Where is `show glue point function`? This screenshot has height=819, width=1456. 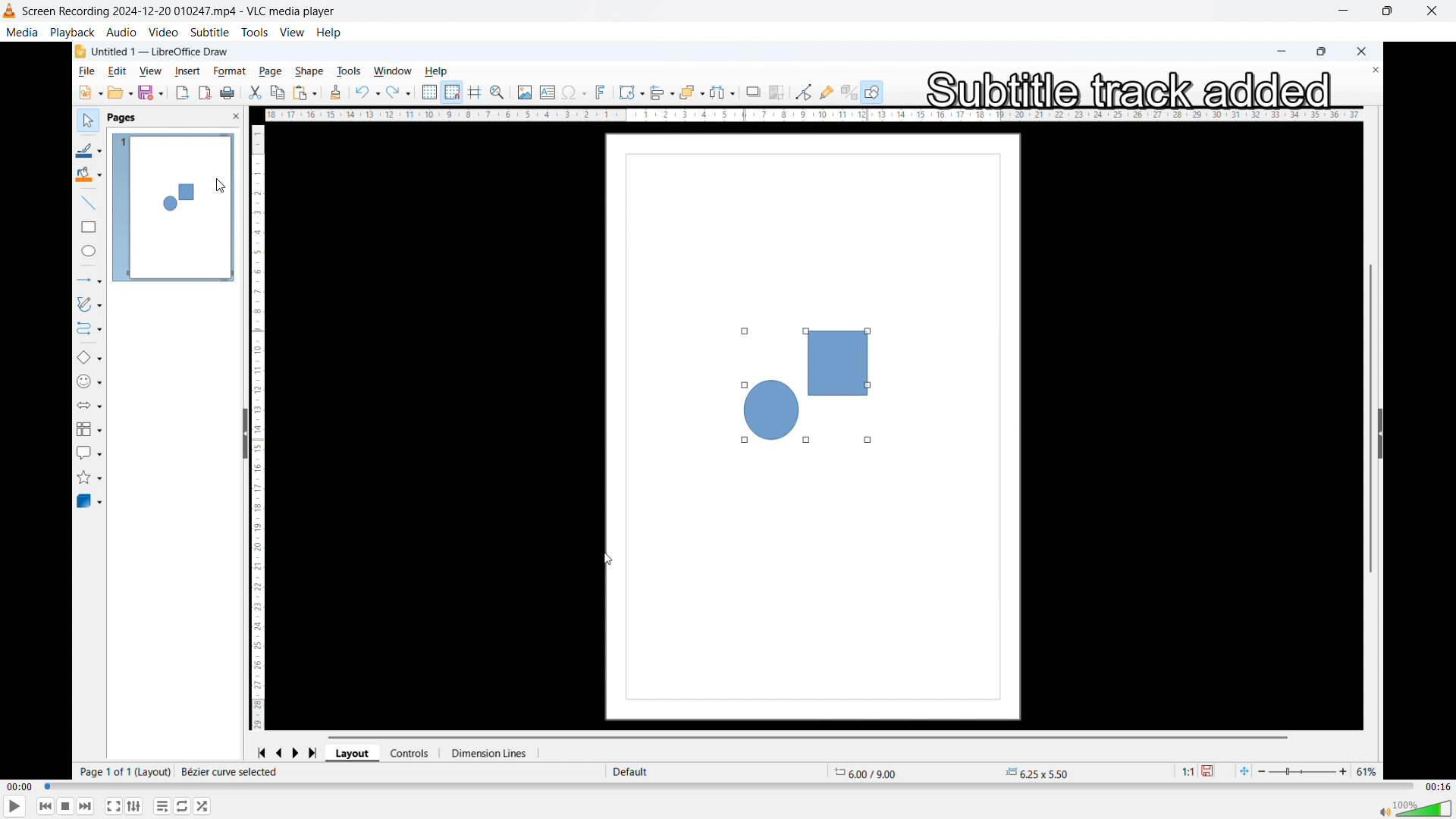 show glue point function is located at coordinates (827, 91).